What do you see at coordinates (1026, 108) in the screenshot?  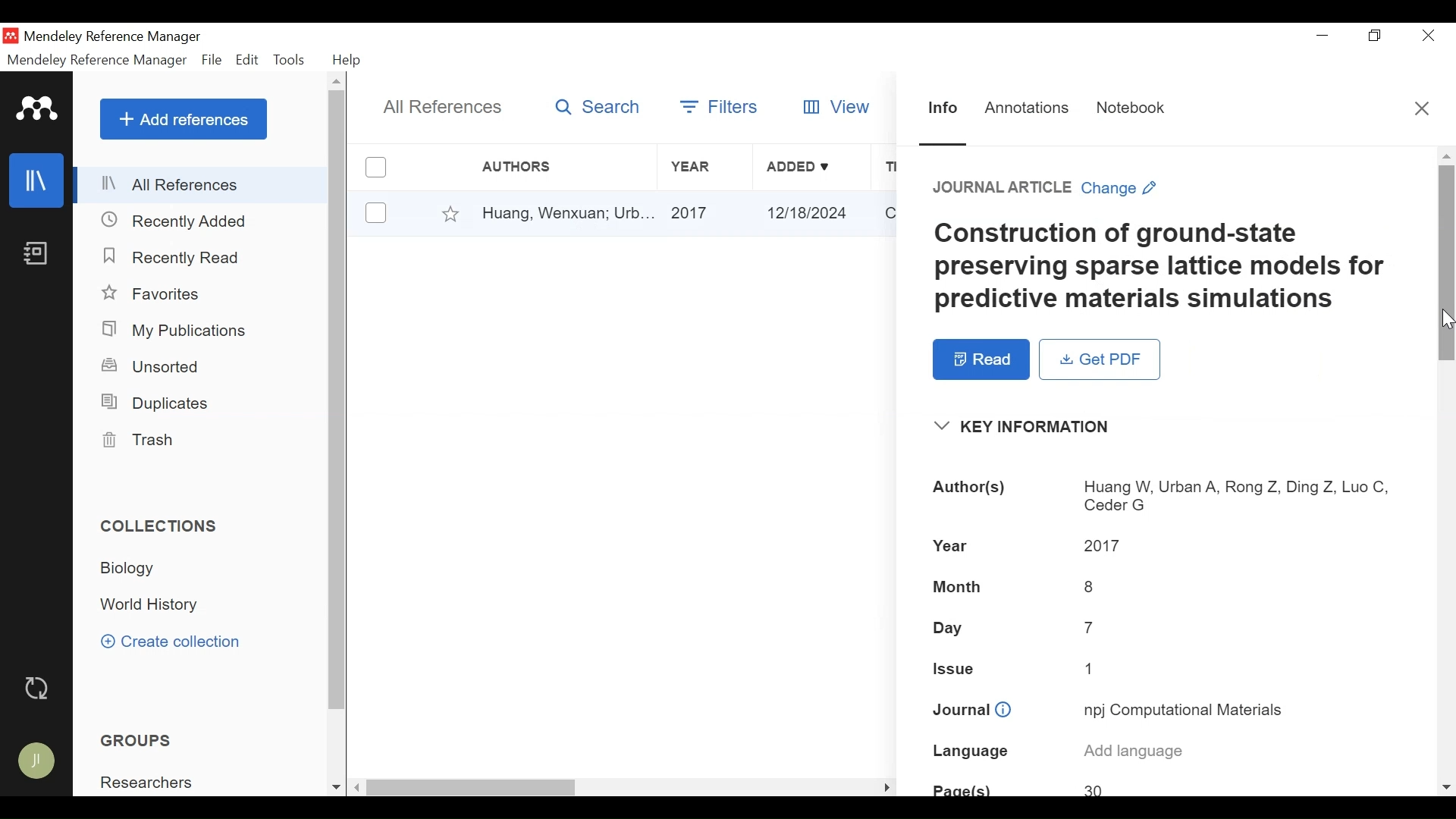 I see `Annotations` at bounding box center [1026, 108].